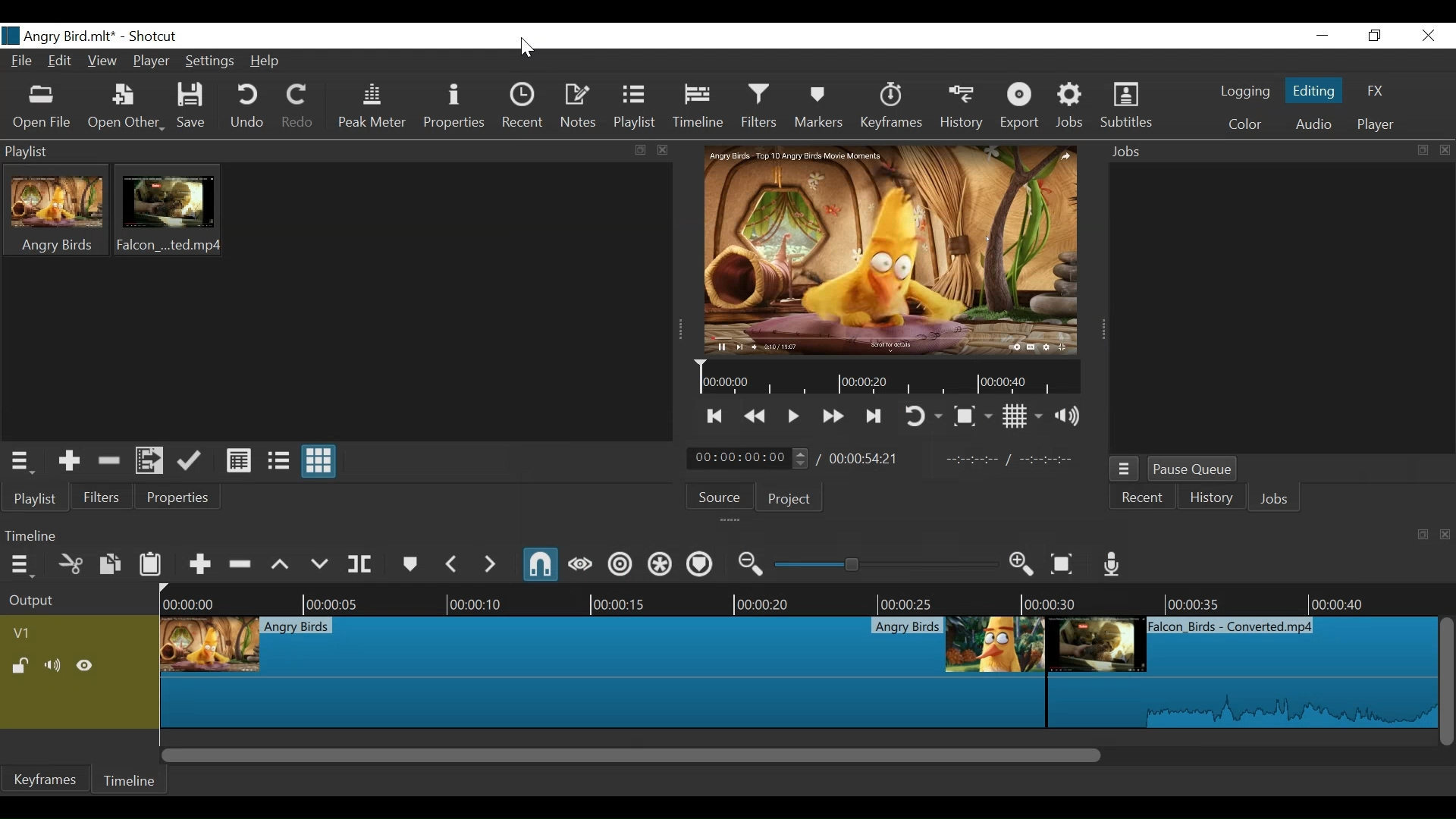 The height and width of the screenshot is (819, 1456). I want to click on Save, so click(190, 108).